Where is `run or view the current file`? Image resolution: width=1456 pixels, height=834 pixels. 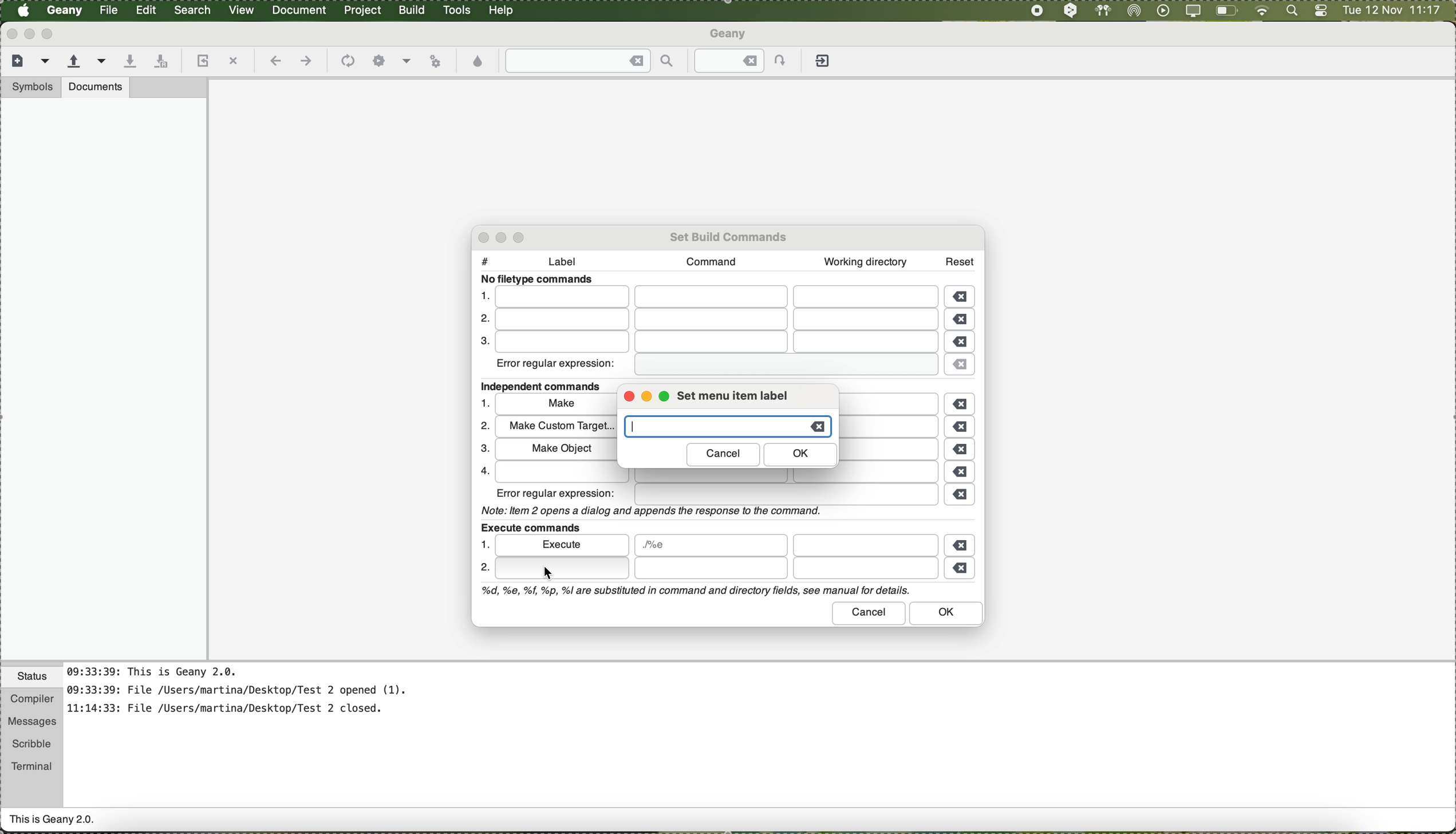
run or view the current file is located at coordinates (435, 60).